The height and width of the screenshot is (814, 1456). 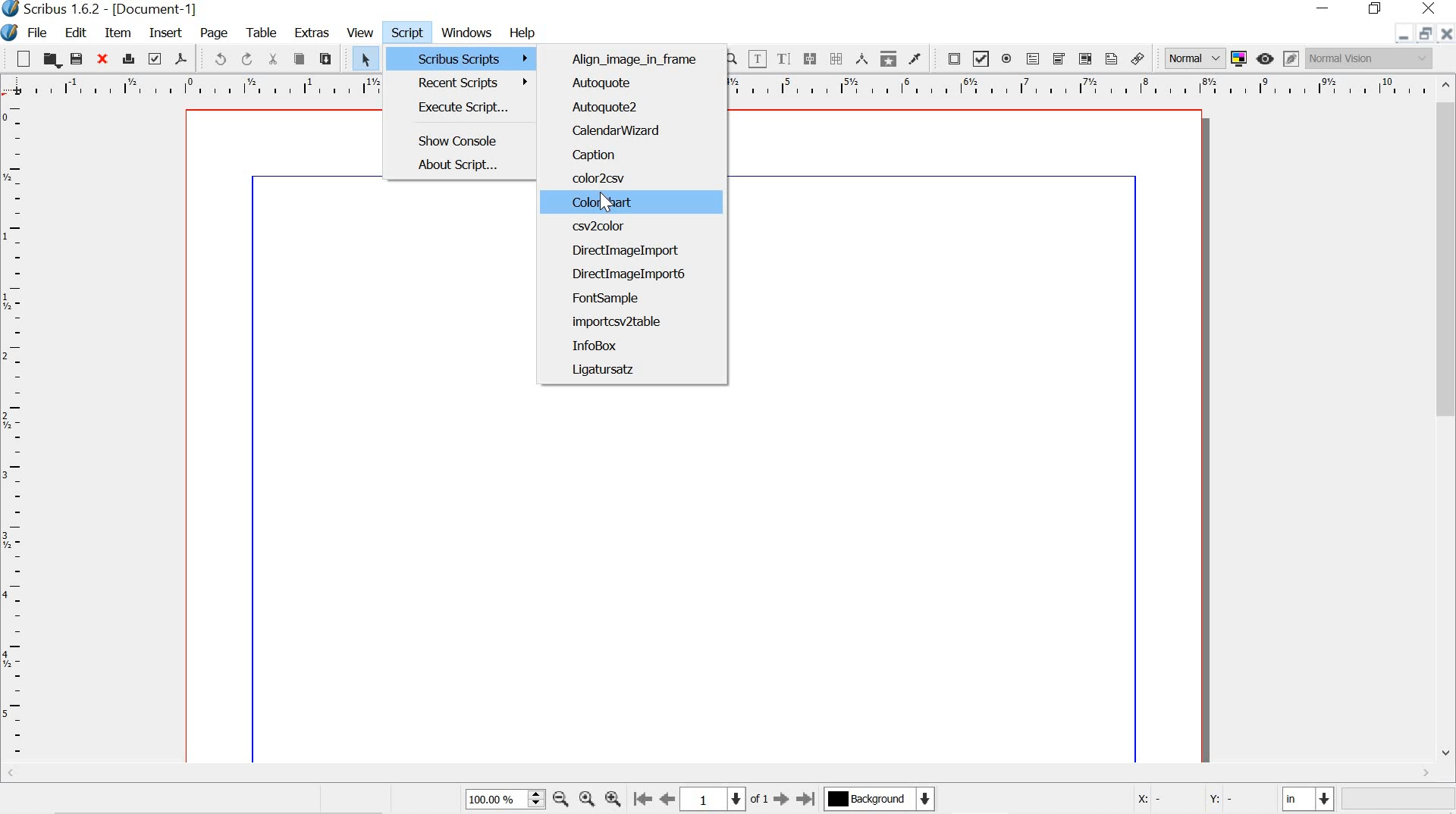 I want to click on csv2color, so click(x=635, y=228).